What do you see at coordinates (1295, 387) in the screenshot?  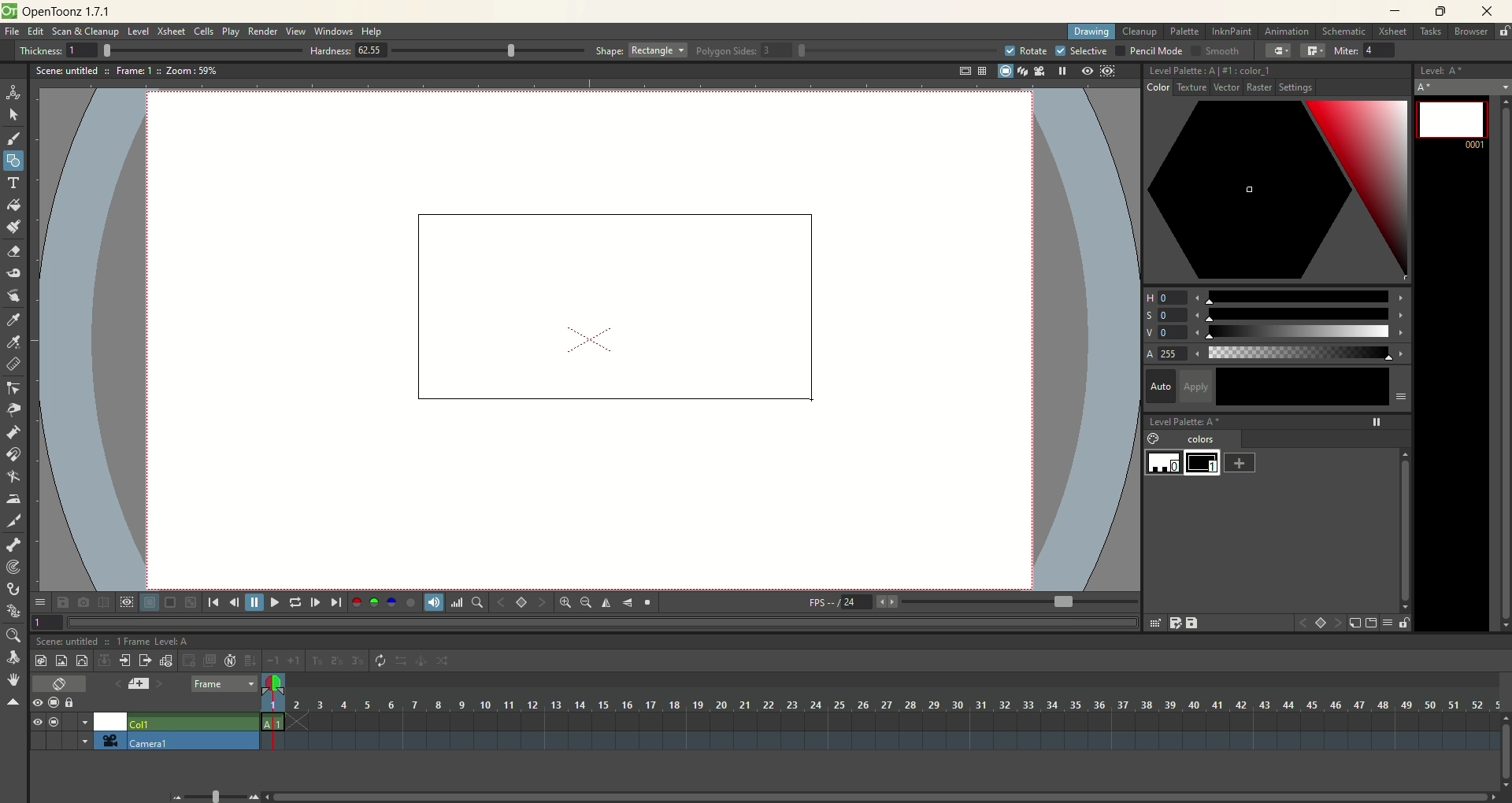 I see `apply` at bounding box center [1295, 387].